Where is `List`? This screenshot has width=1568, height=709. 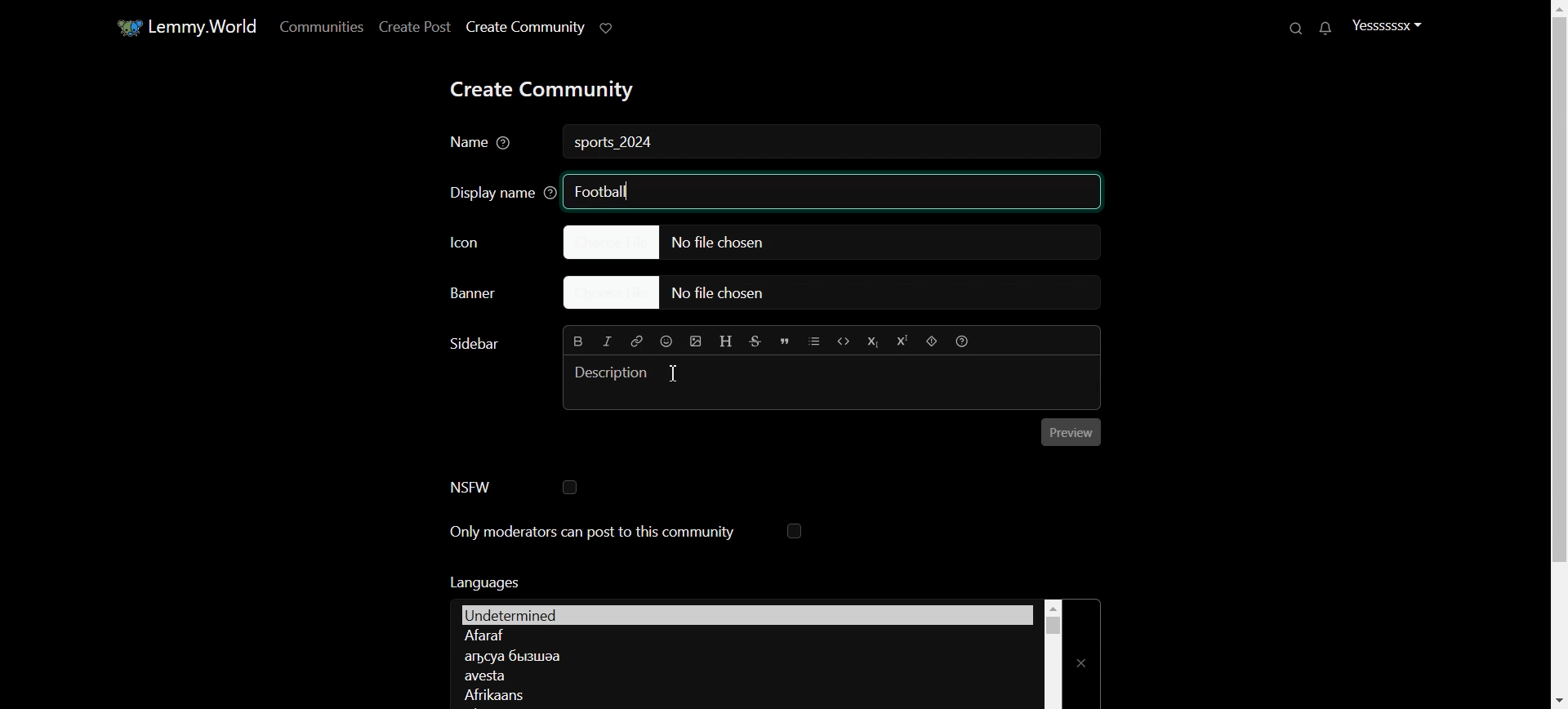 List is located at coordinates (814, 341).